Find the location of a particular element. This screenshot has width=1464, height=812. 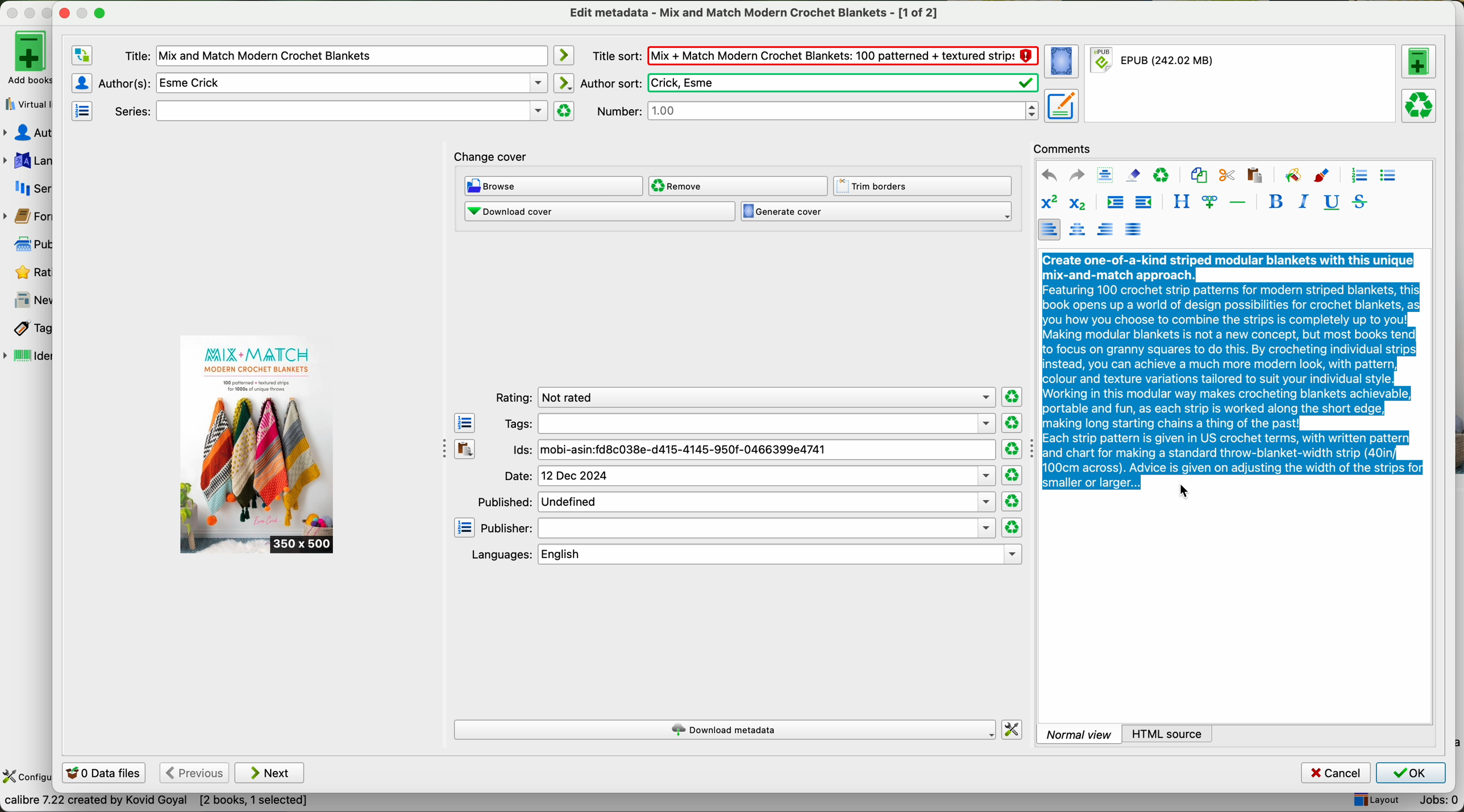

OK is located at coordinates (1410, 773).